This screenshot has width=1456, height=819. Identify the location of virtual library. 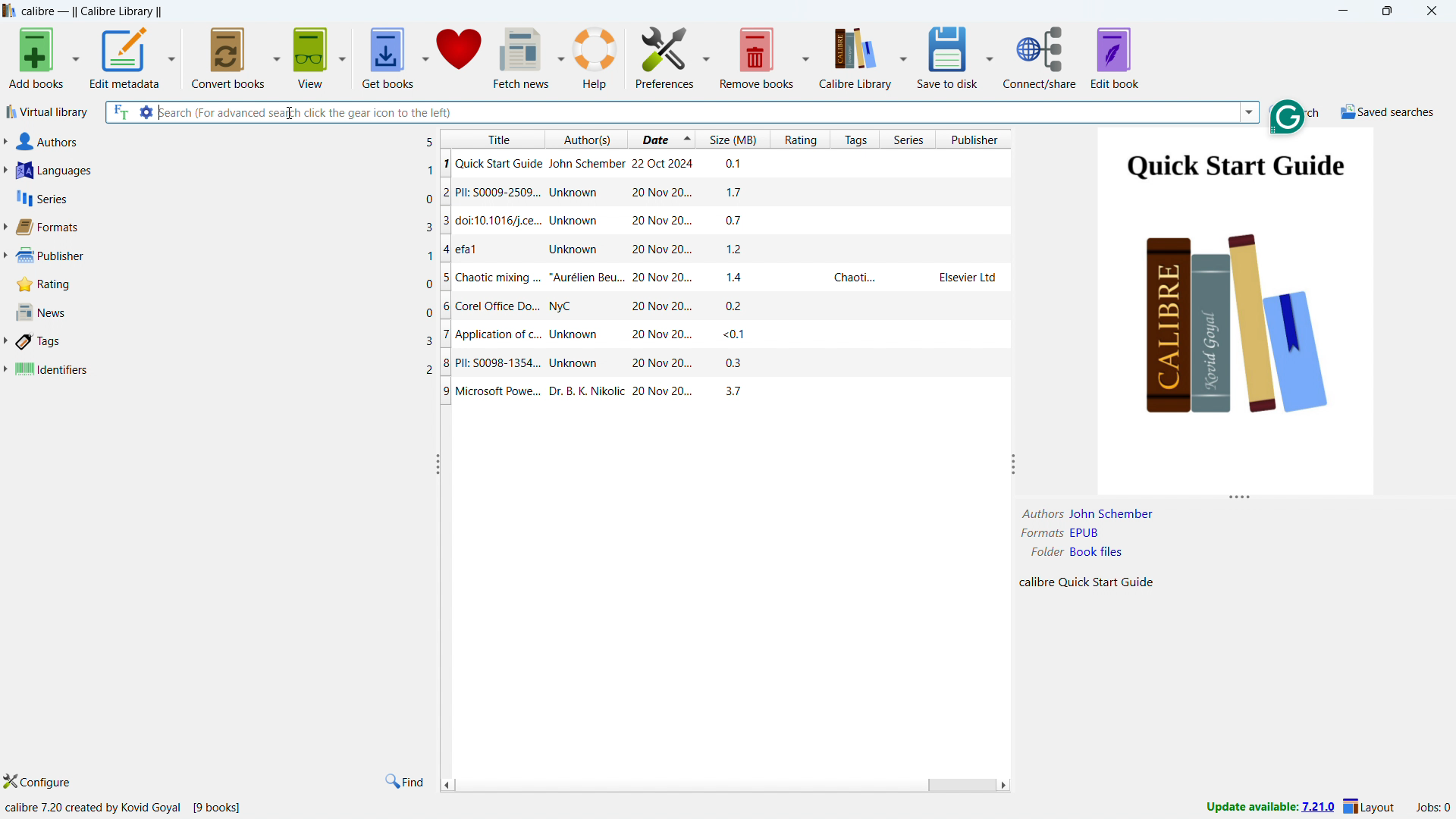
(47, 113).